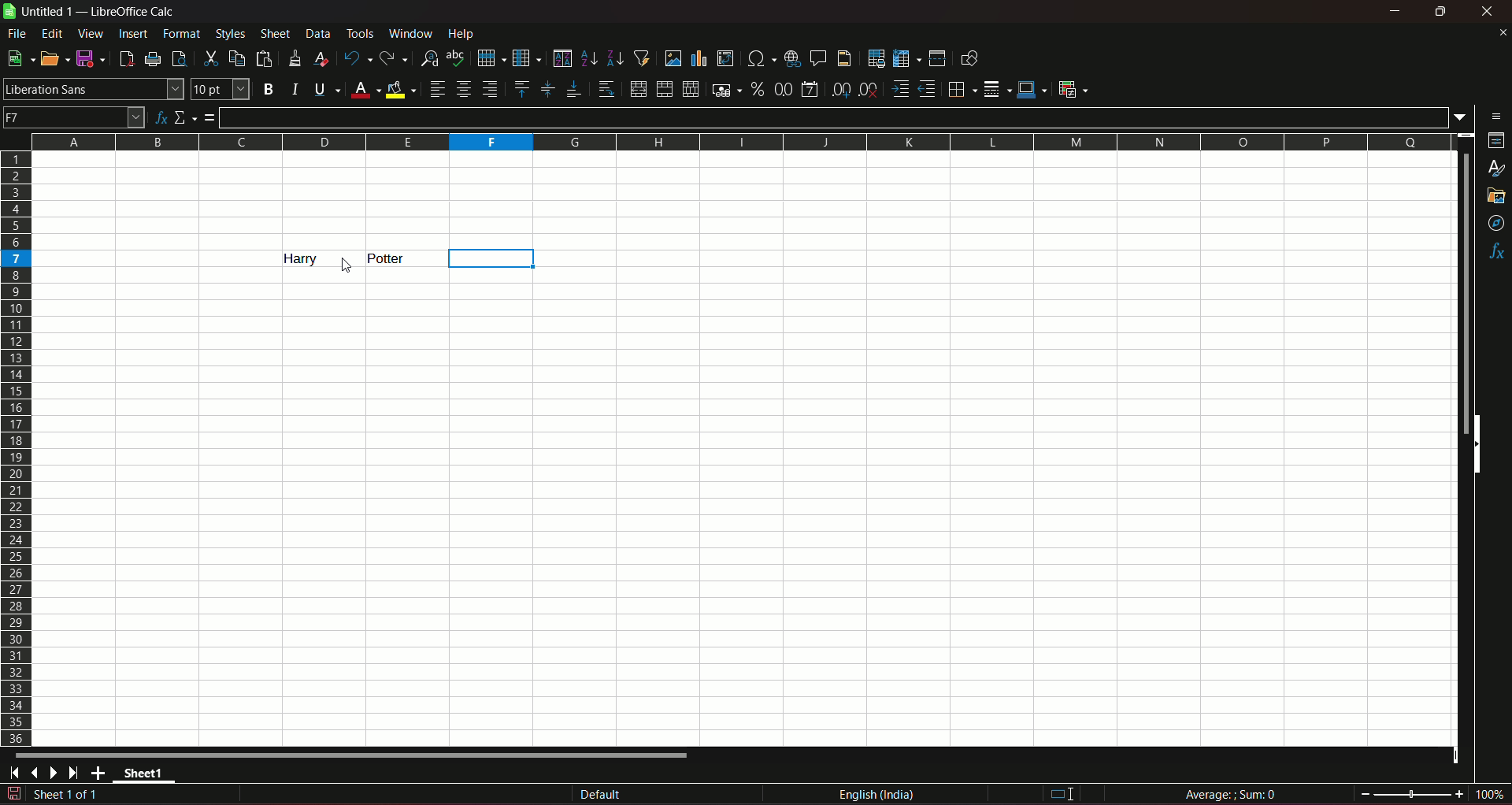 Image resolution: width=1512 pixels, height=805 pixels. What do you see at coordinates (759, 57) in the screenshot?
I see `insert special character` at bounding box center [759, 57].